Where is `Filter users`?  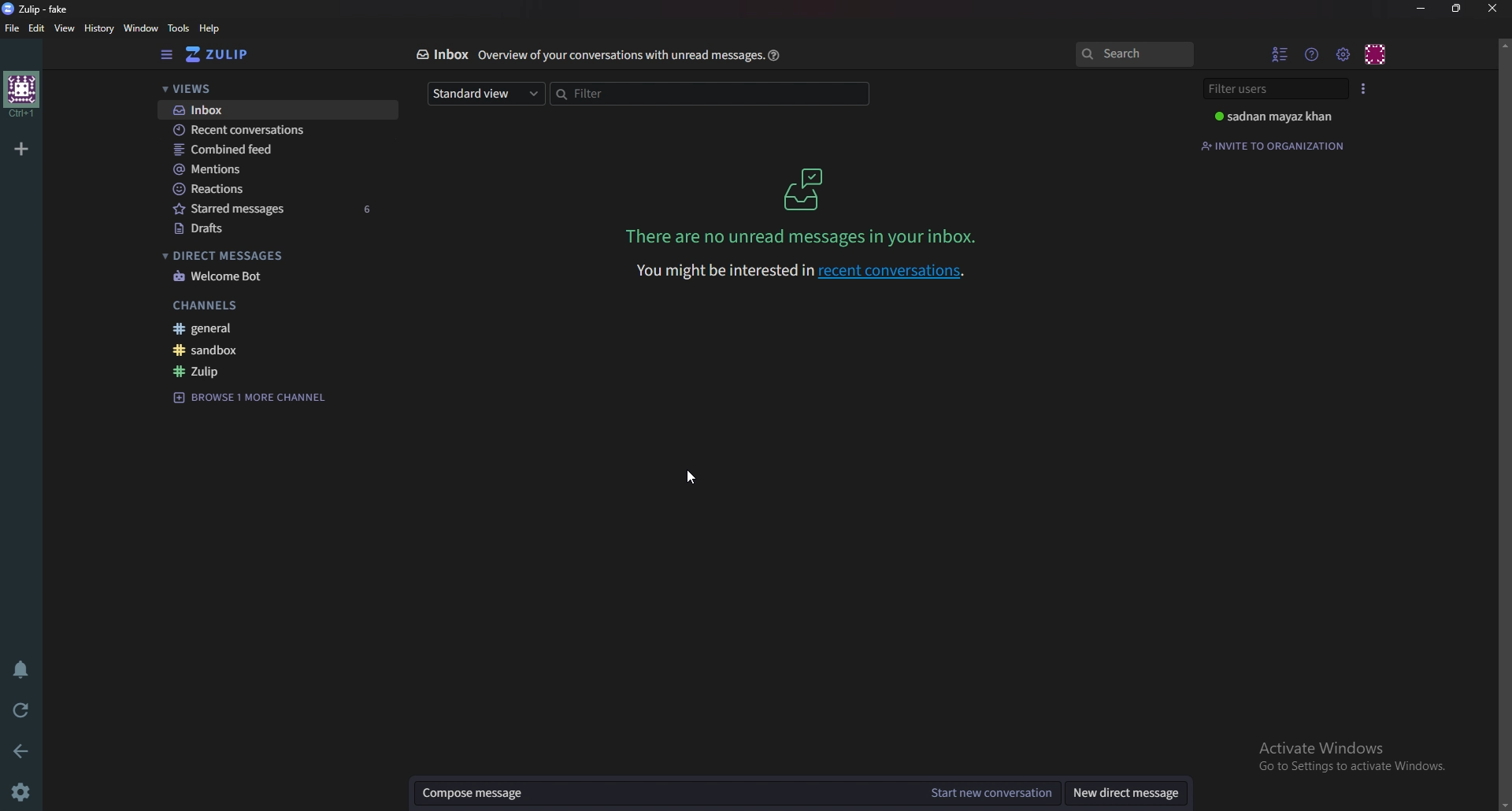 Filter users is located at coordinates (1270, 90).